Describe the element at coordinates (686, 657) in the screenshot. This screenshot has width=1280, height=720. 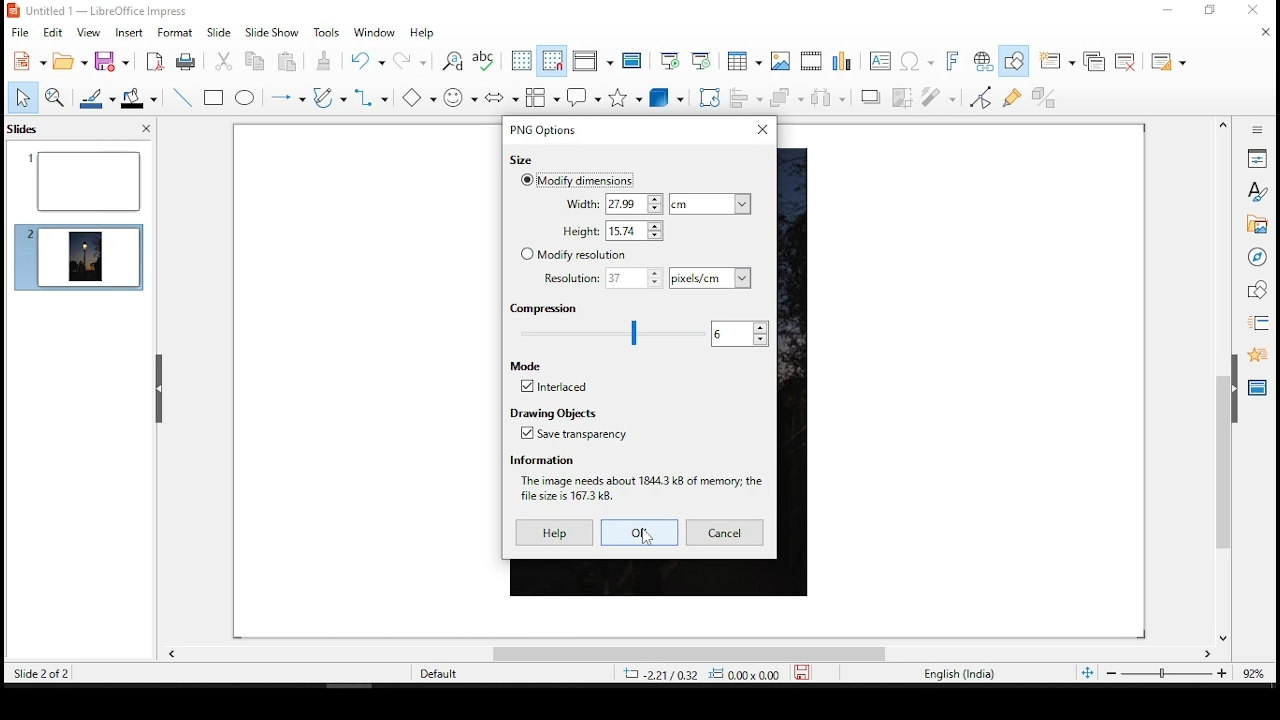
I see `scroll bar` at that location.